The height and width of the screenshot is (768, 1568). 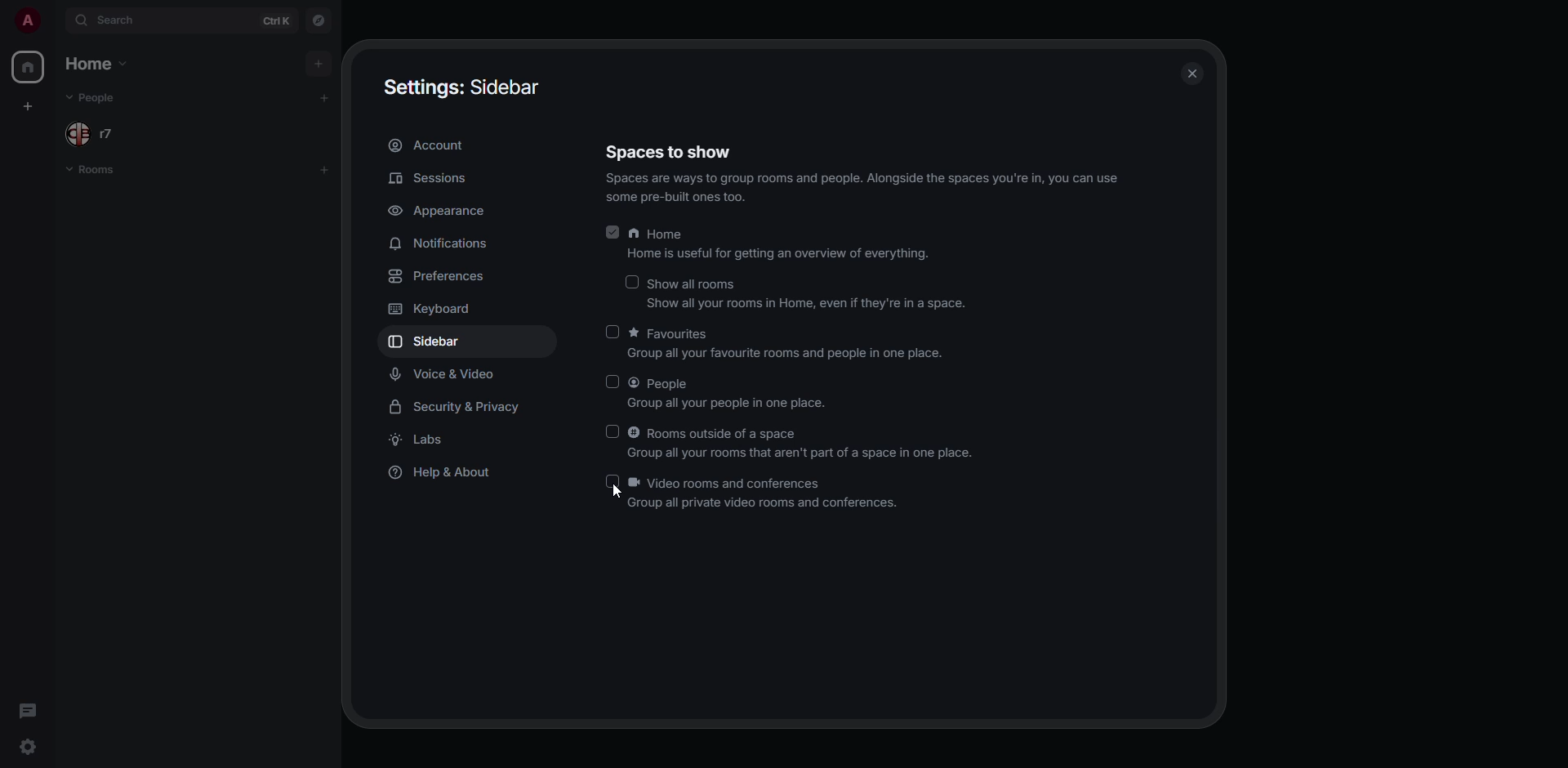 What do you see at coordinates (779, 243) in the screenshot?
I see `A Home
Home is useful for getting an overview of everything.` at bounding box center [779, 243].